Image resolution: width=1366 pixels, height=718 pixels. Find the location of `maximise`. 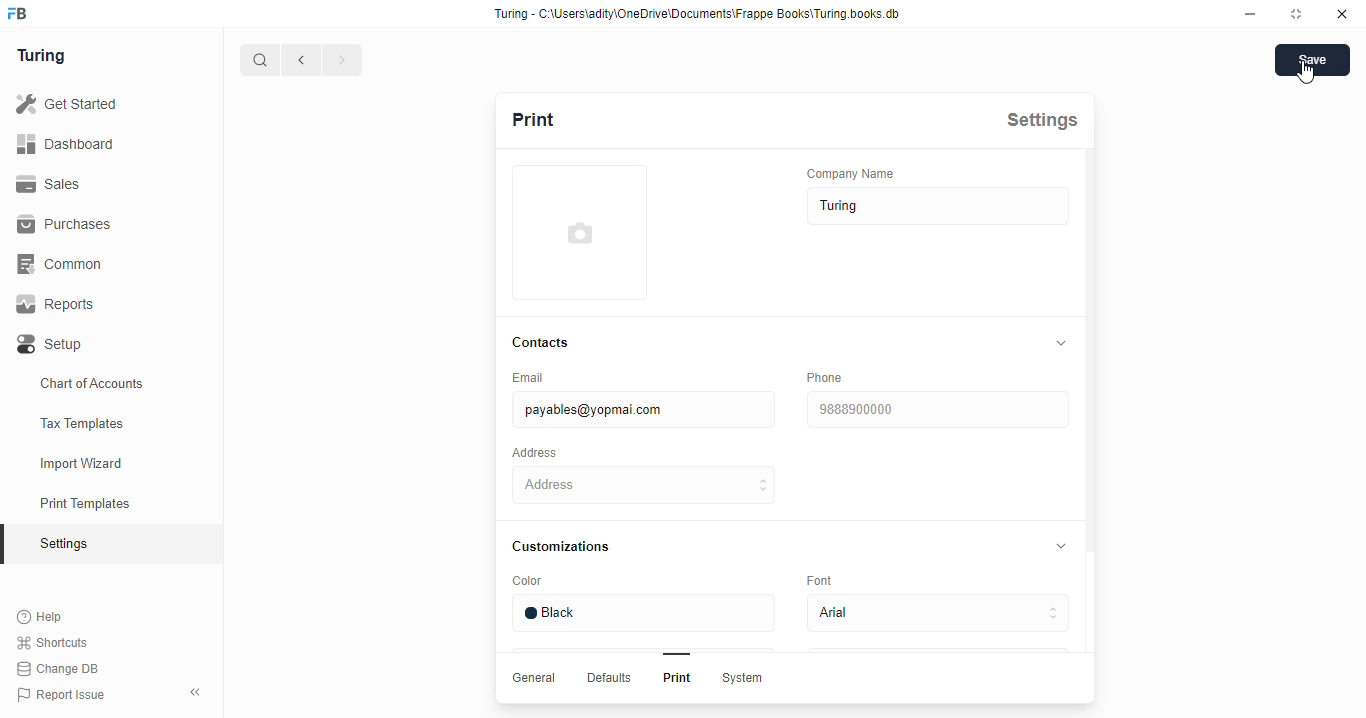

maximise is located at coordinates (1299, 15).